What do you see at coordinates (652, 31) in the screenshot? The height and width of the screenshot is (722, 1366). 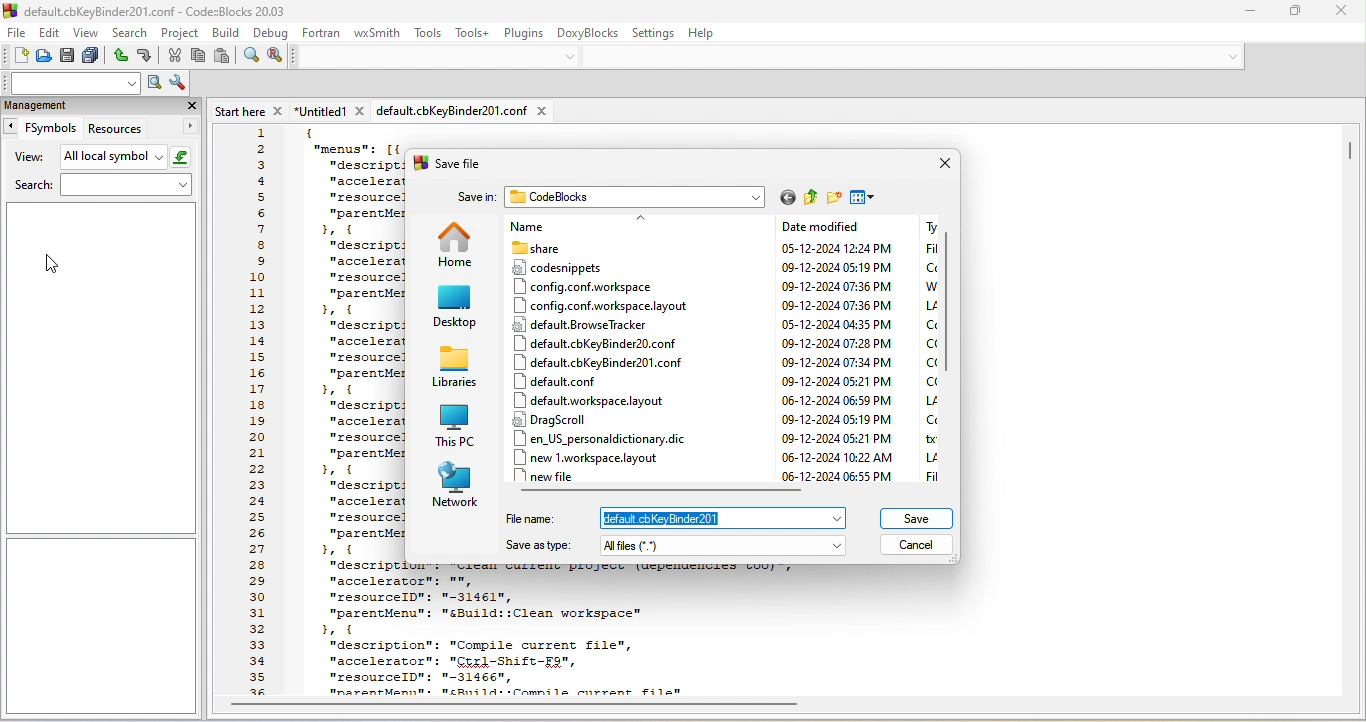 I see `settings` at bounding box center [652, 31].